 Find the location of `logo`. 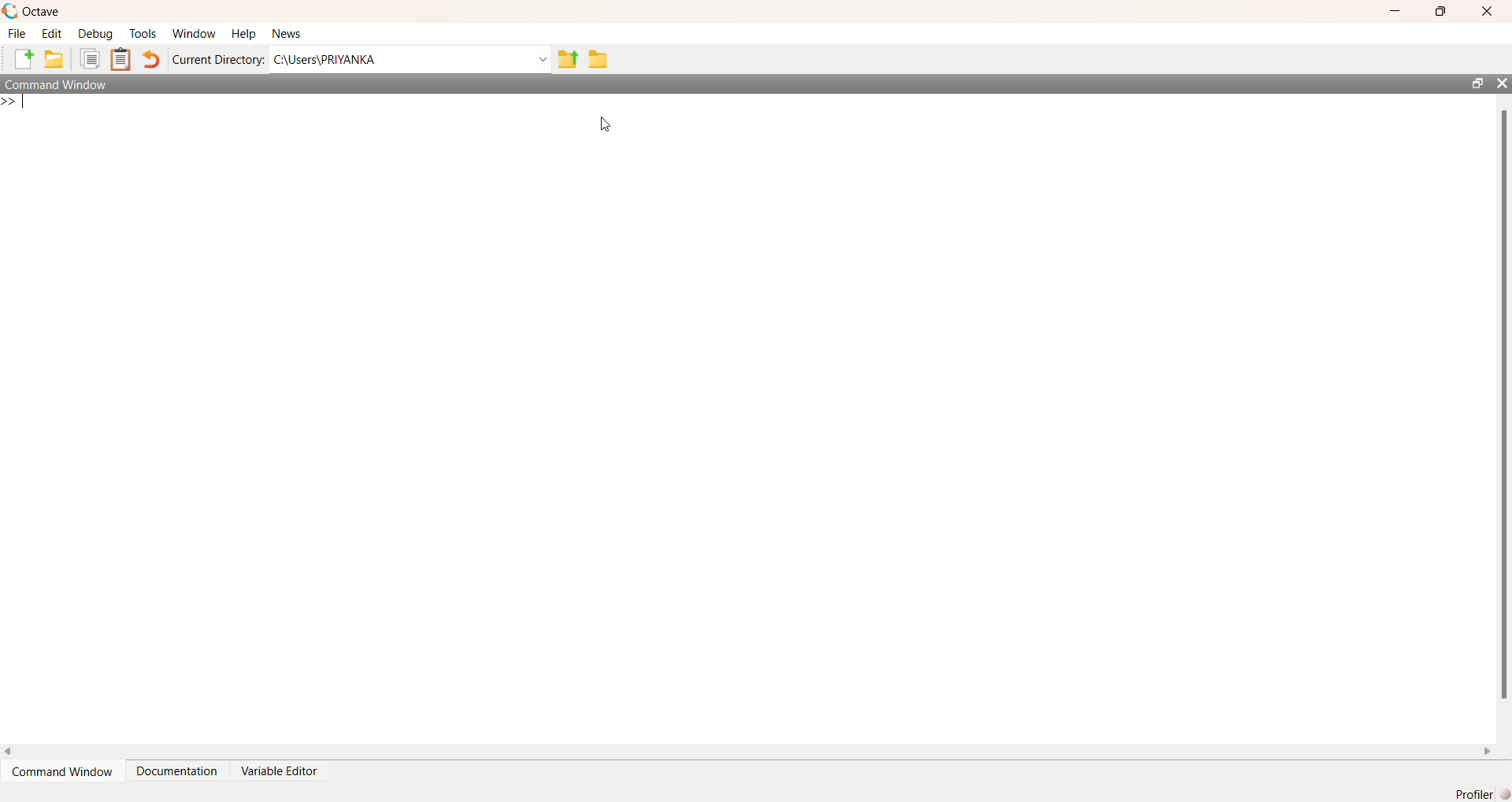

logo is located at coordinates (10, 11).